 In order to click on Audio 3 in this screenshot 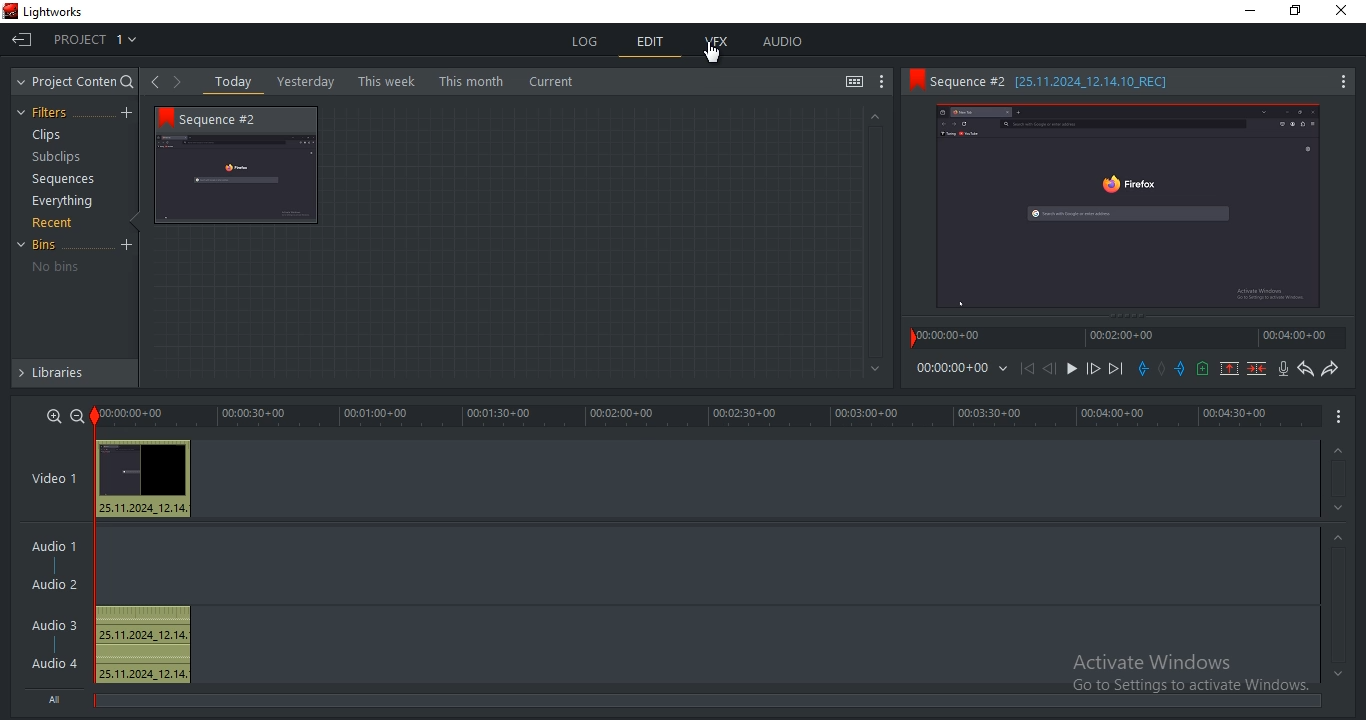, I will do `click(57, 626)`.